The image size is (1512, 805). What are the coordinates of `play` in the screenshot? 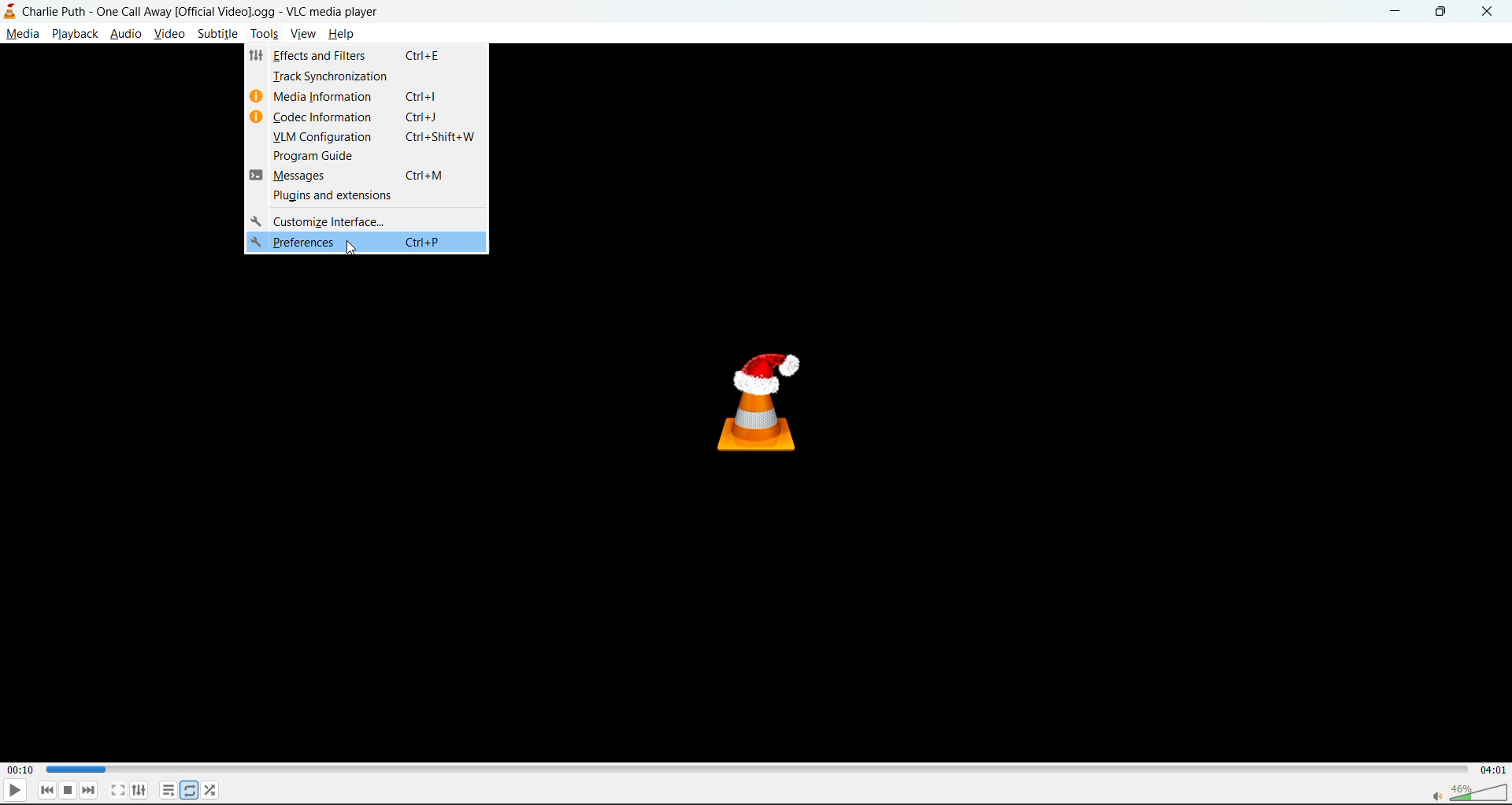 It's located at (15, 792).